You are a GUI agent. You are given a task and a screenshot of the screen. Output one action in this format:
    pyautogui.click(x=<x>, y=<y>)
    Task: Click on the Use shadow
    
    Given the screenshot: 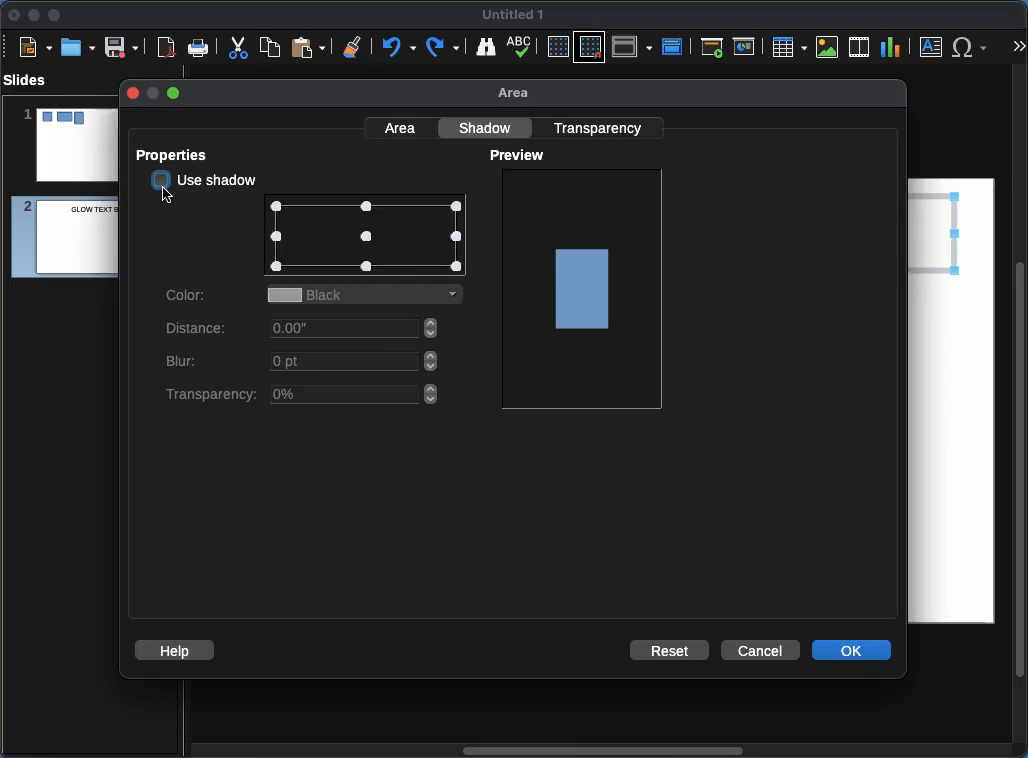 What is the action you would take?
    pyautogui.click(x=206, y=181)
    